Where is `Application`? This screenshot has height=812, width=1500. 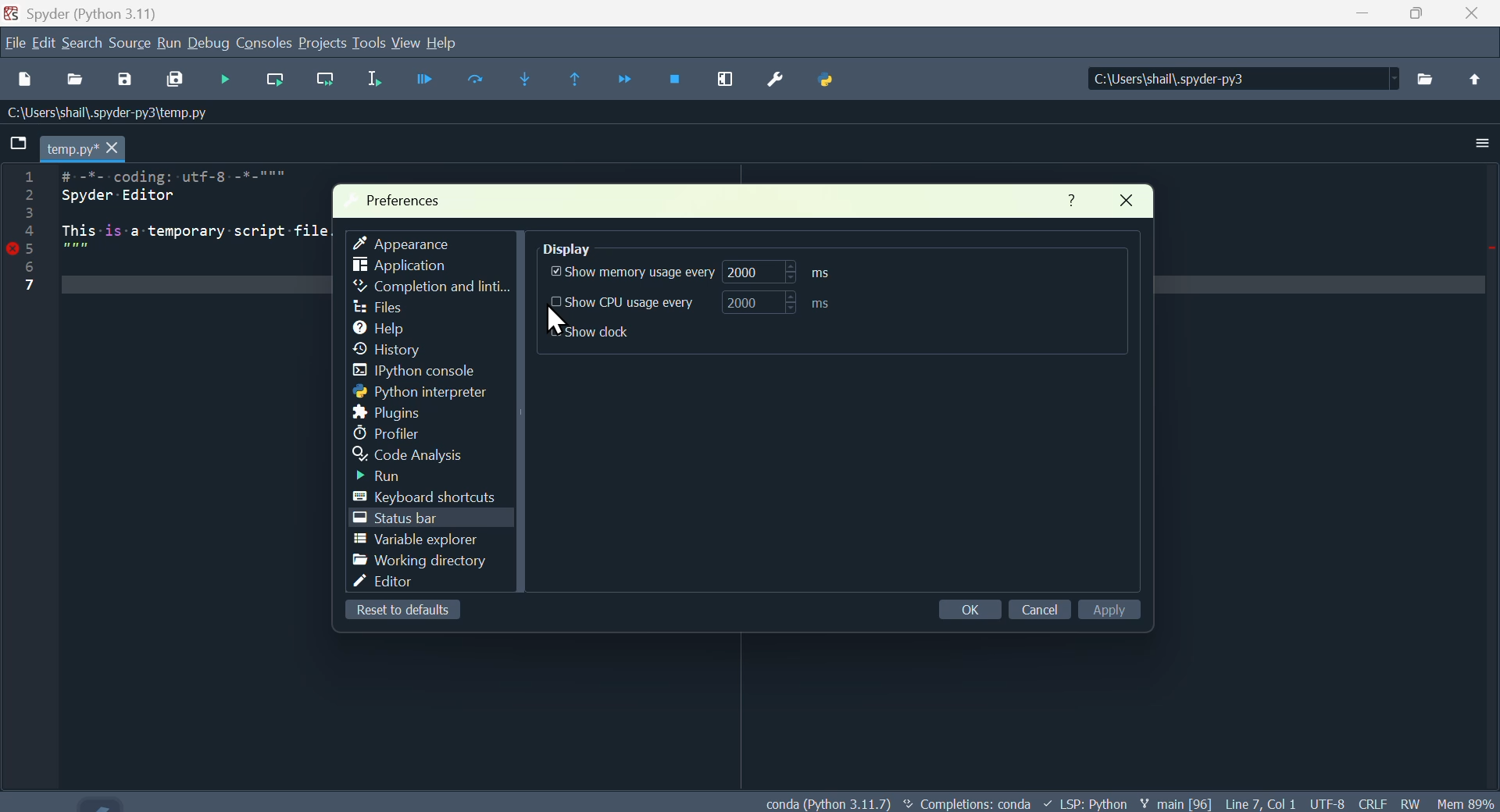
Application is located at coordinates (412, 265).